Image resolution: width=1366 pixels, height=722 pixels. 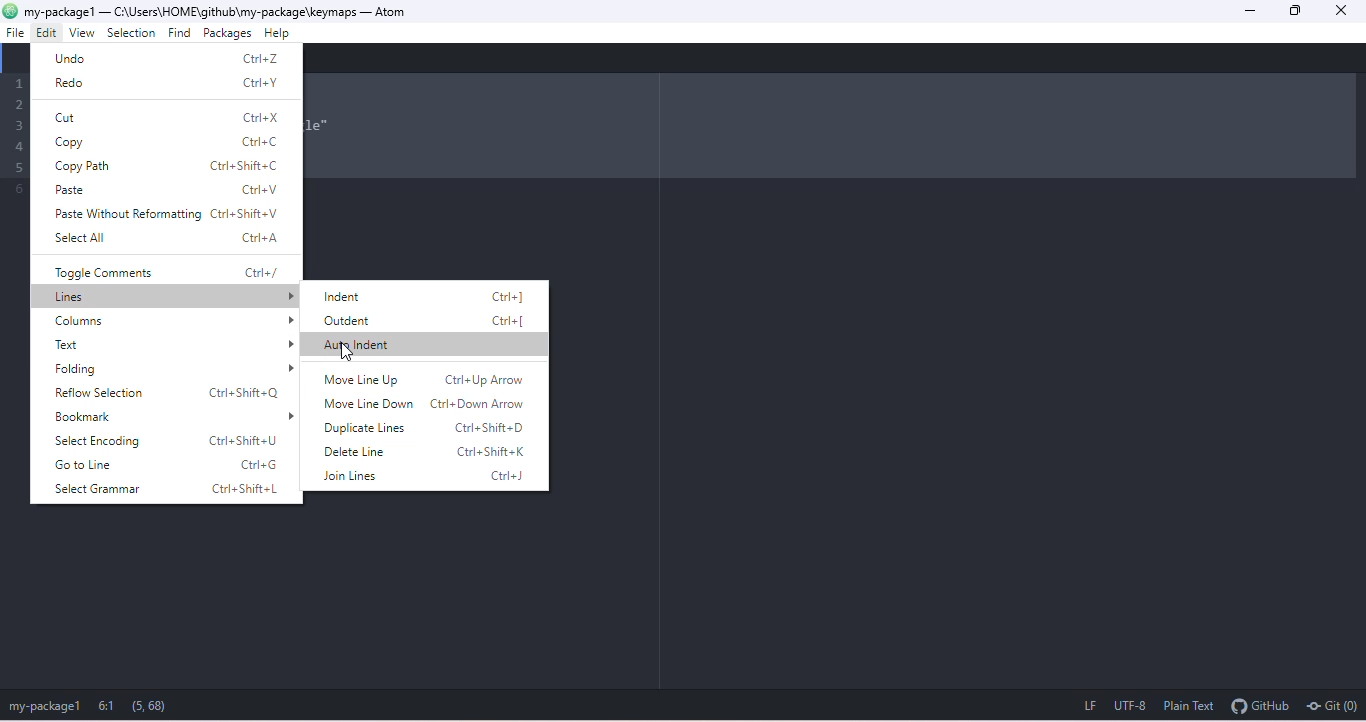 I want to click on minimize, so click(x=1253, y=10).